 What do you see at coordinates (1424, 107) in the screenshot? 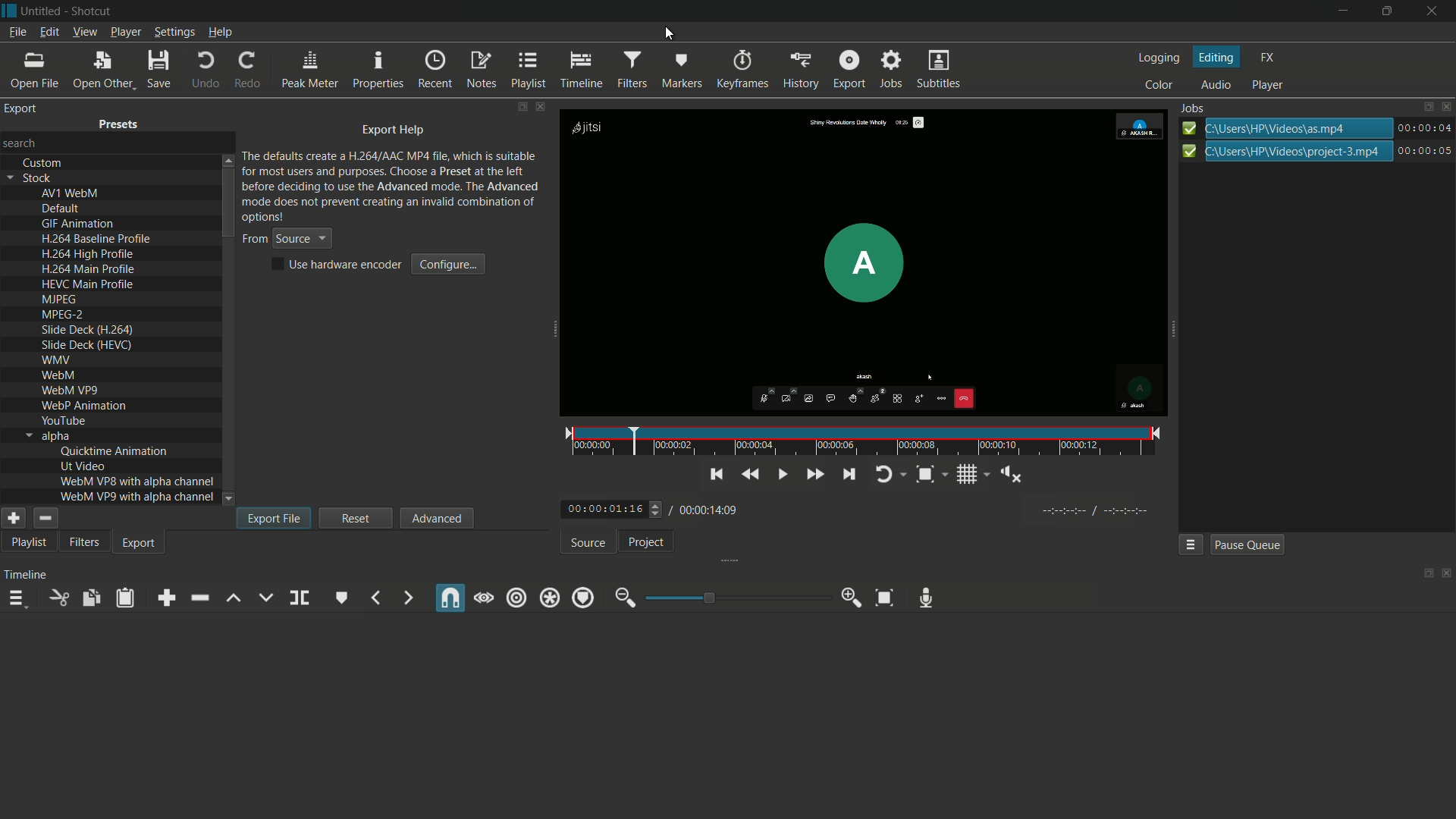
I see `change layout` at bounding box center [1424, 107].